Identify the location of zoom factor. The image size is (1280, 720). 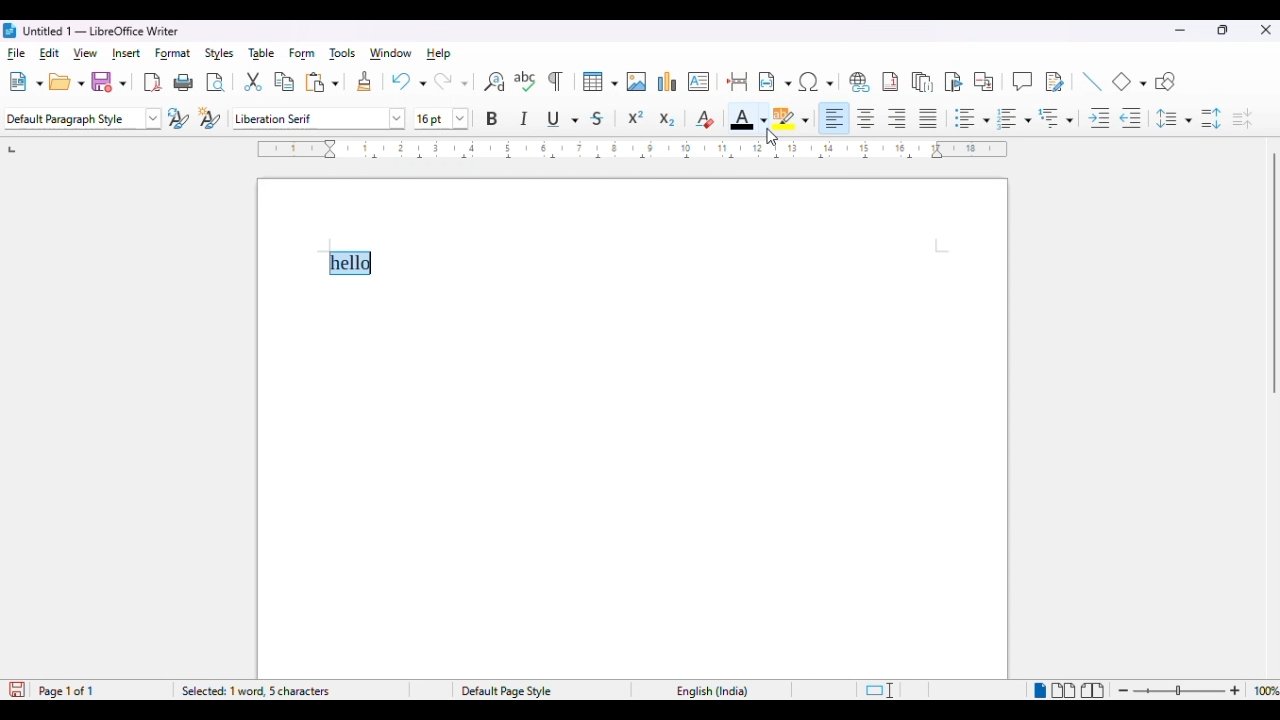
(1265, 690).